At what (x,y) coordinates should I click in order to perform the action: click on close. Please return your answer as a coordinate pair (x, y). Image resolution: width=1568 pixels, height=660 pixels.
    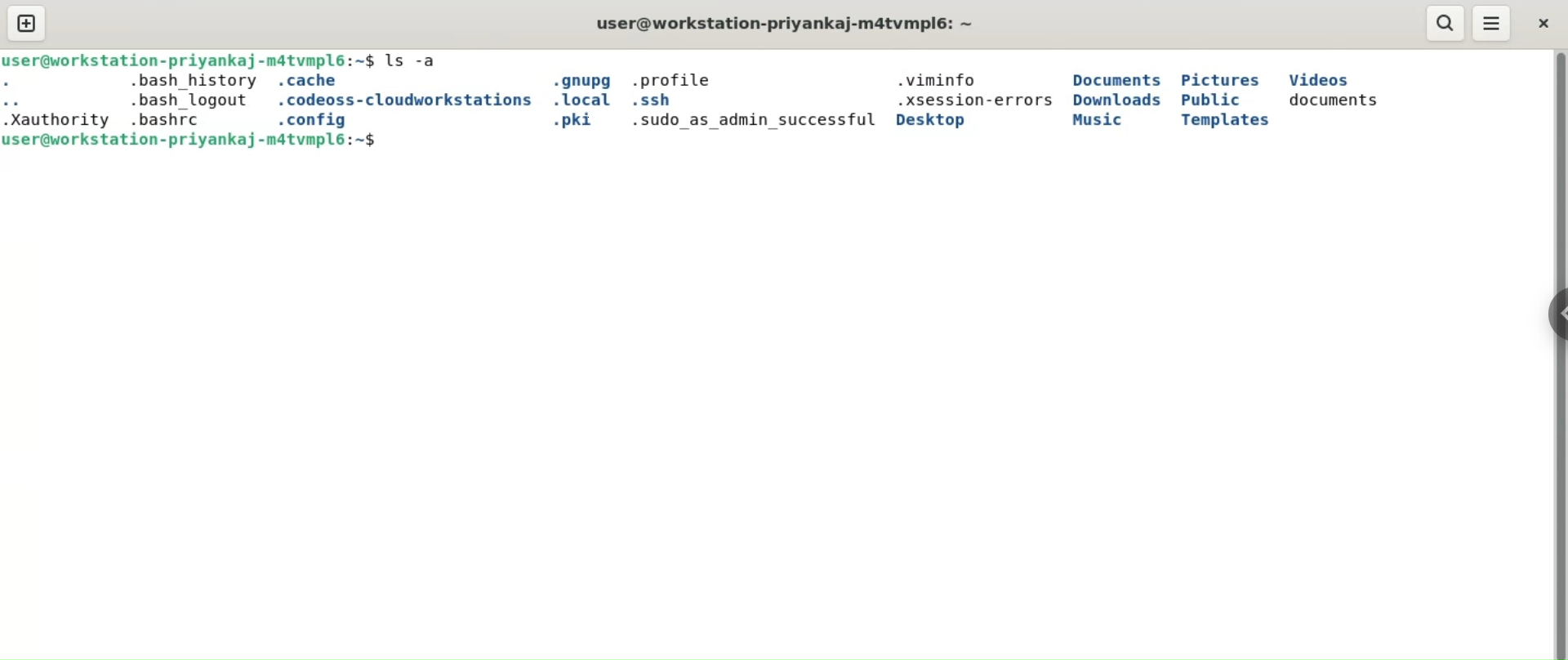
    Looking at the image, I should click on (1540, 21).